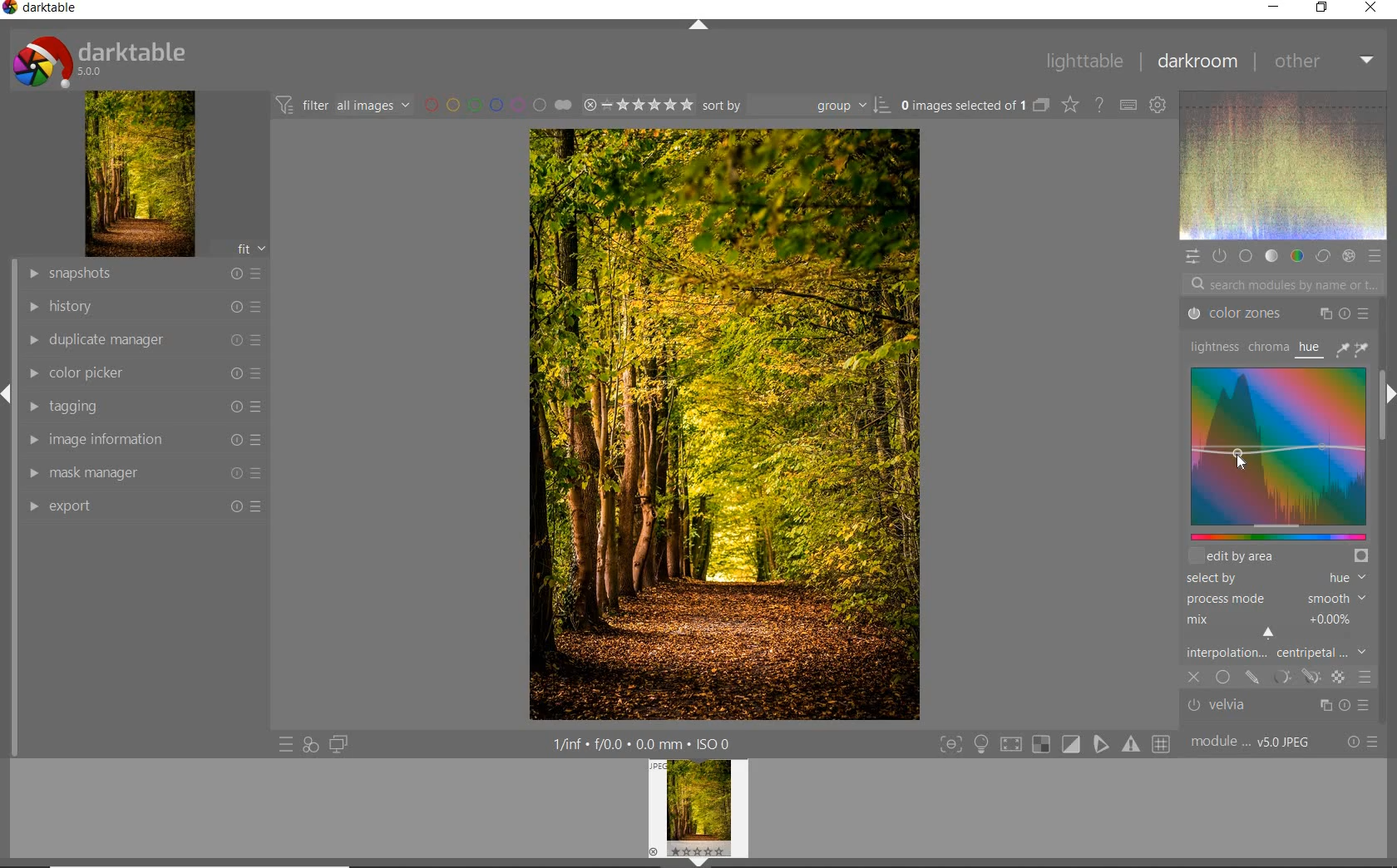 This screenshot has width=1397, height=868. Describe the element at coordinates (1299, 256) in the screenshot. I see `COLOR` at that location.